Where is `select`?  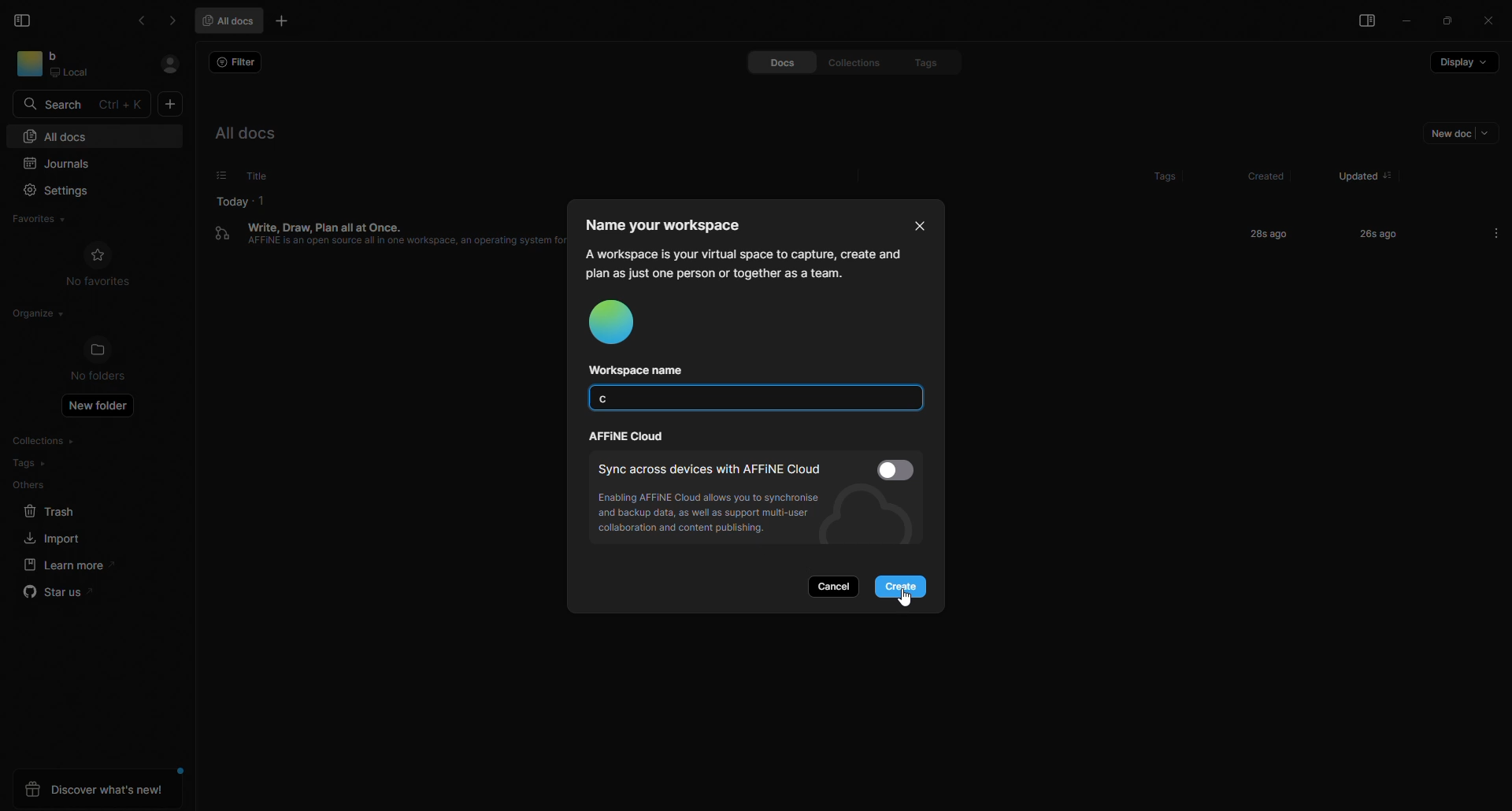 select is located at coordinates (899, 469).